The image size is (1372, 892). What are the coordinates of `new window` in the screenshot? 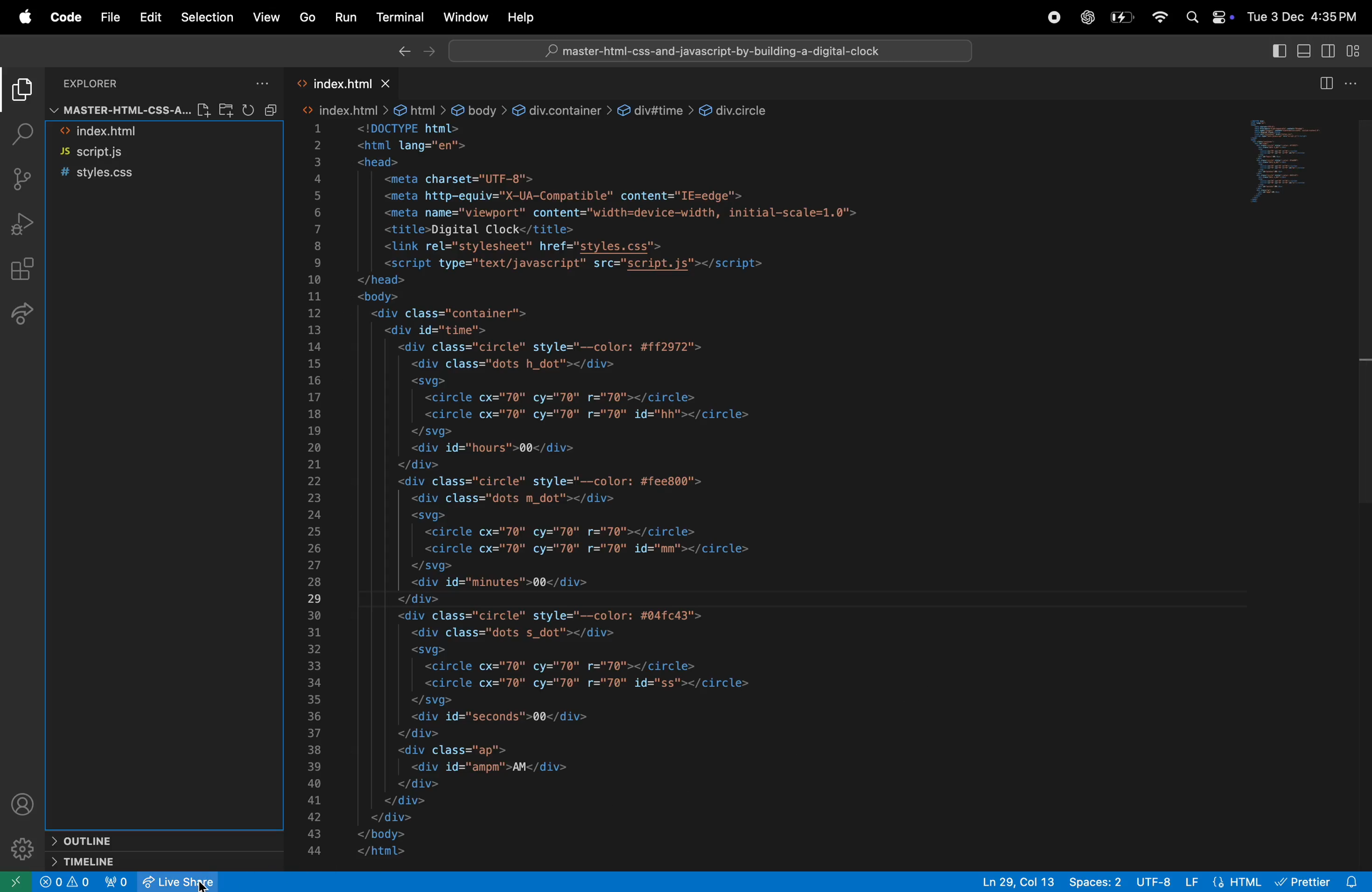 It's located at (13, 883).